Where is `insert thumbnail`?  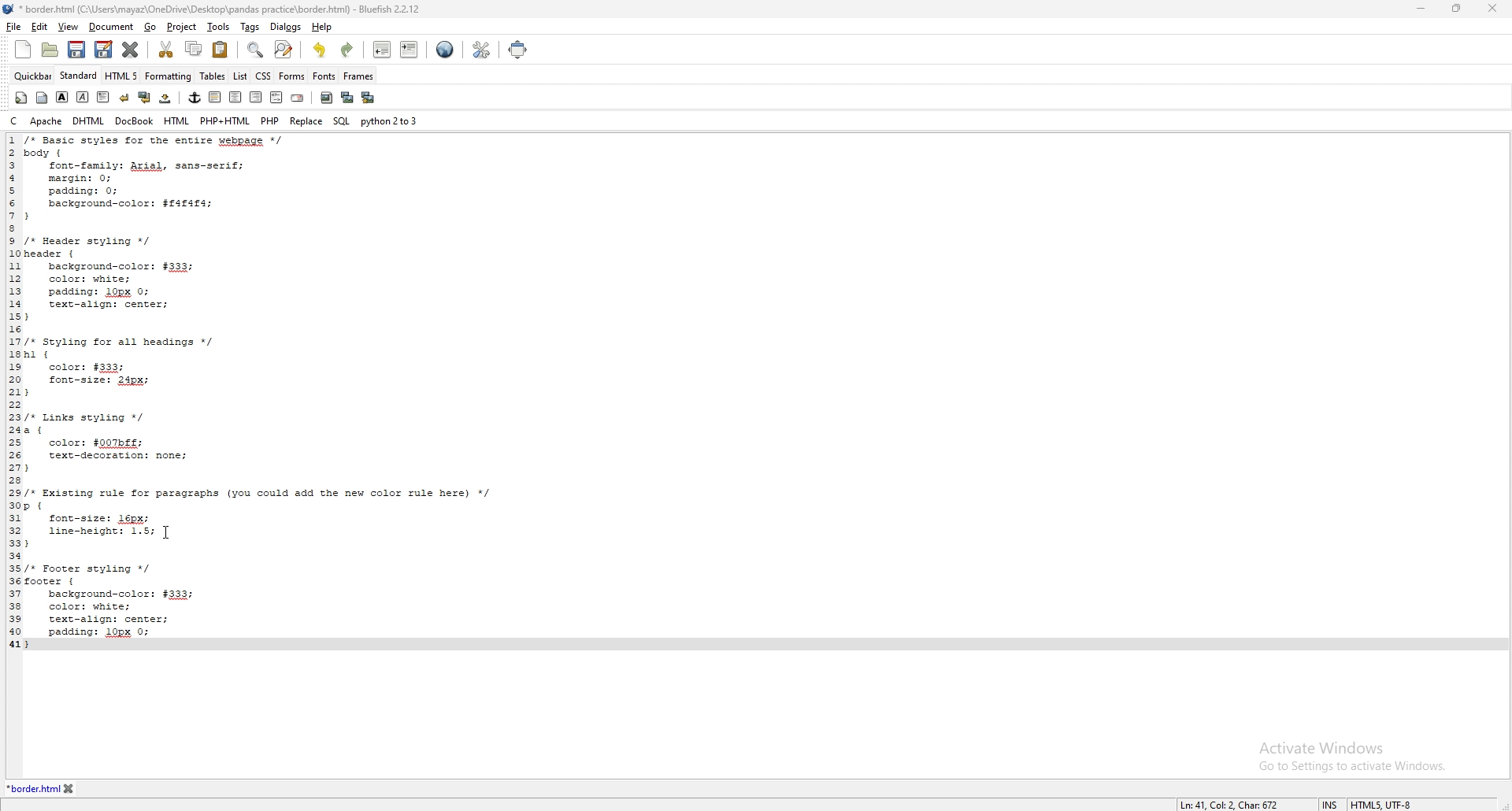
insert thumbnail is located at coordinates (347, 98).